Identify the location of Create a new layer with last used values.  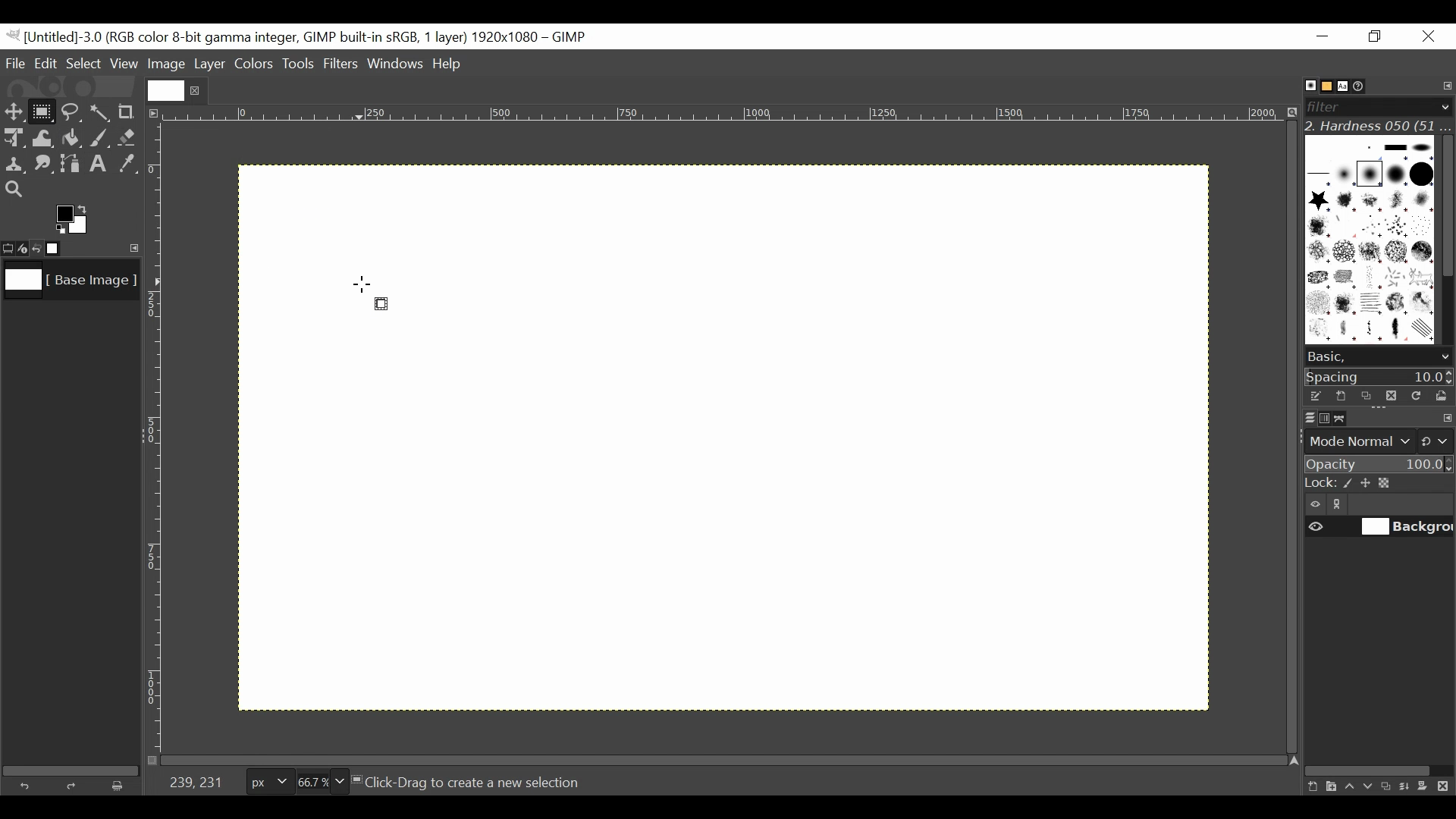
(1310, 787).